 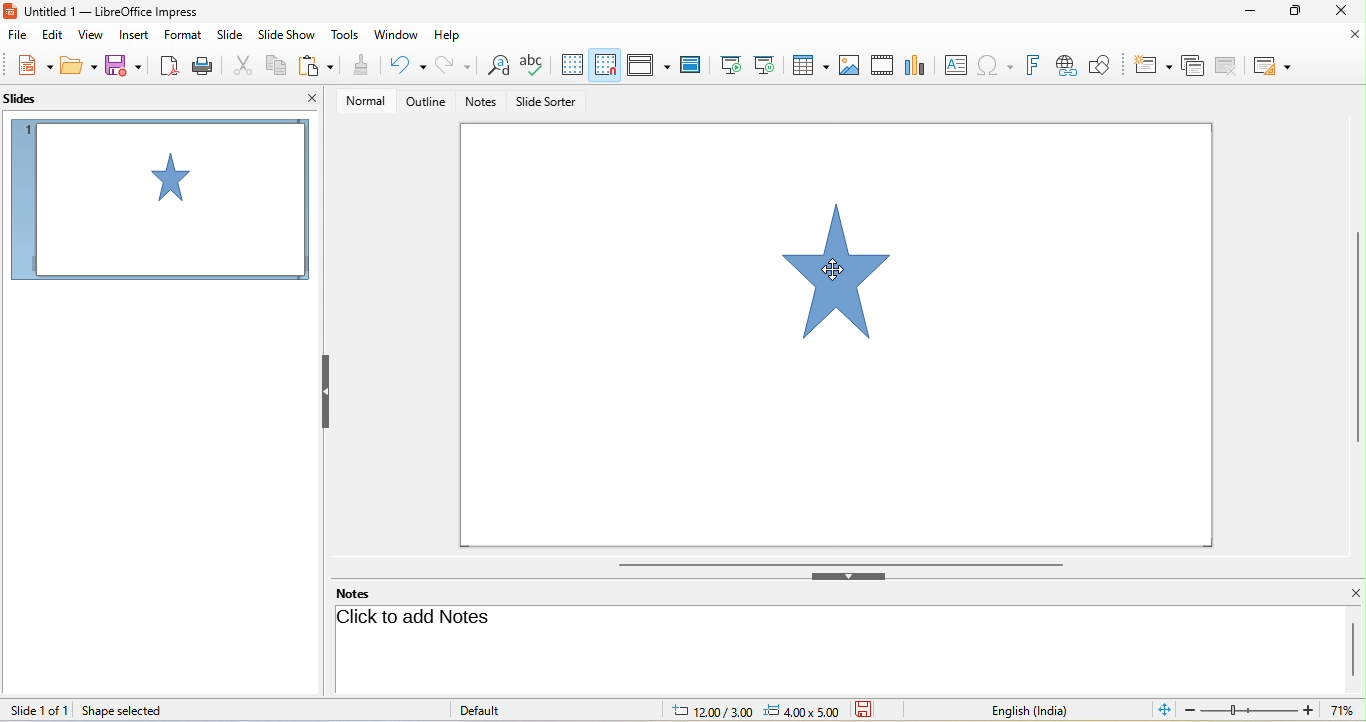 I want to click on tools, so click(x=344, y=36).